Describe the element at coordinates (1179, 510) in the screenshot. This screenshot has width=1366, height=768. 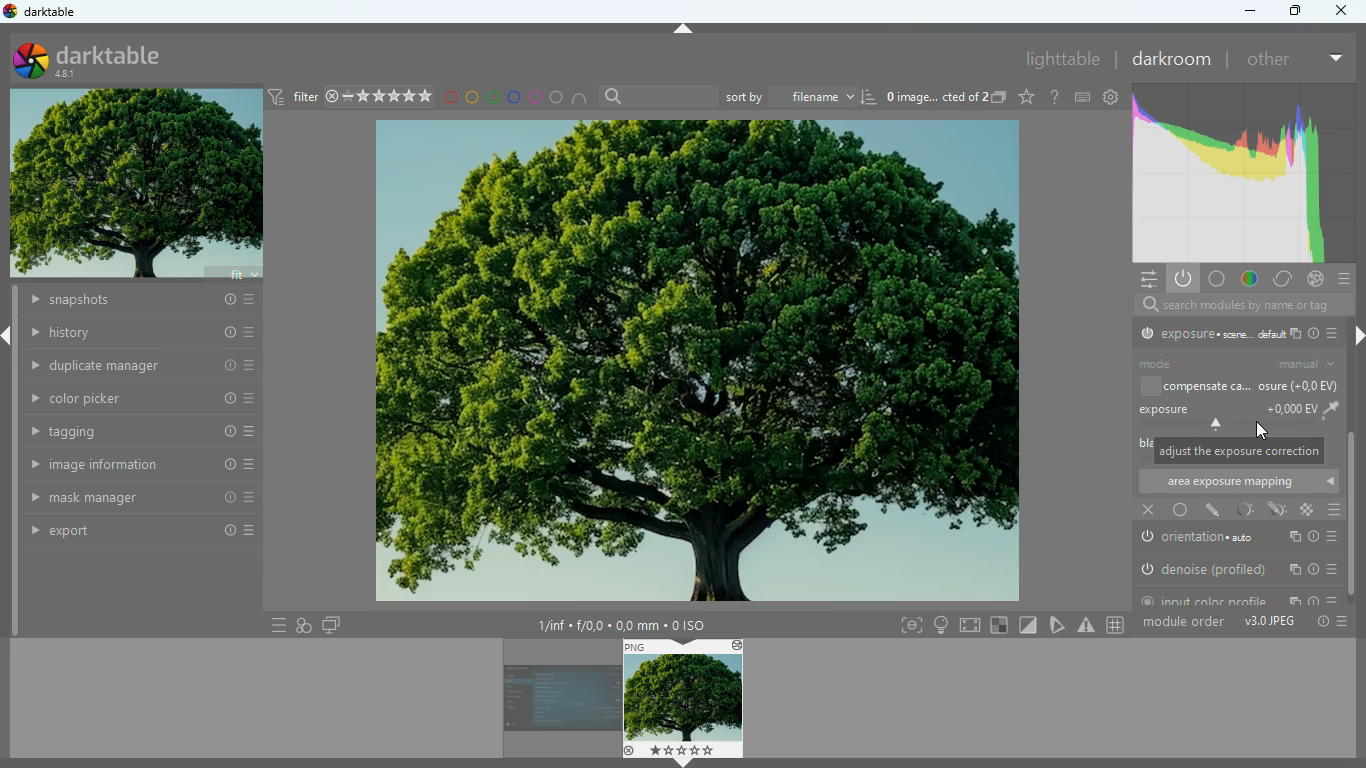
I see `base` at that location.